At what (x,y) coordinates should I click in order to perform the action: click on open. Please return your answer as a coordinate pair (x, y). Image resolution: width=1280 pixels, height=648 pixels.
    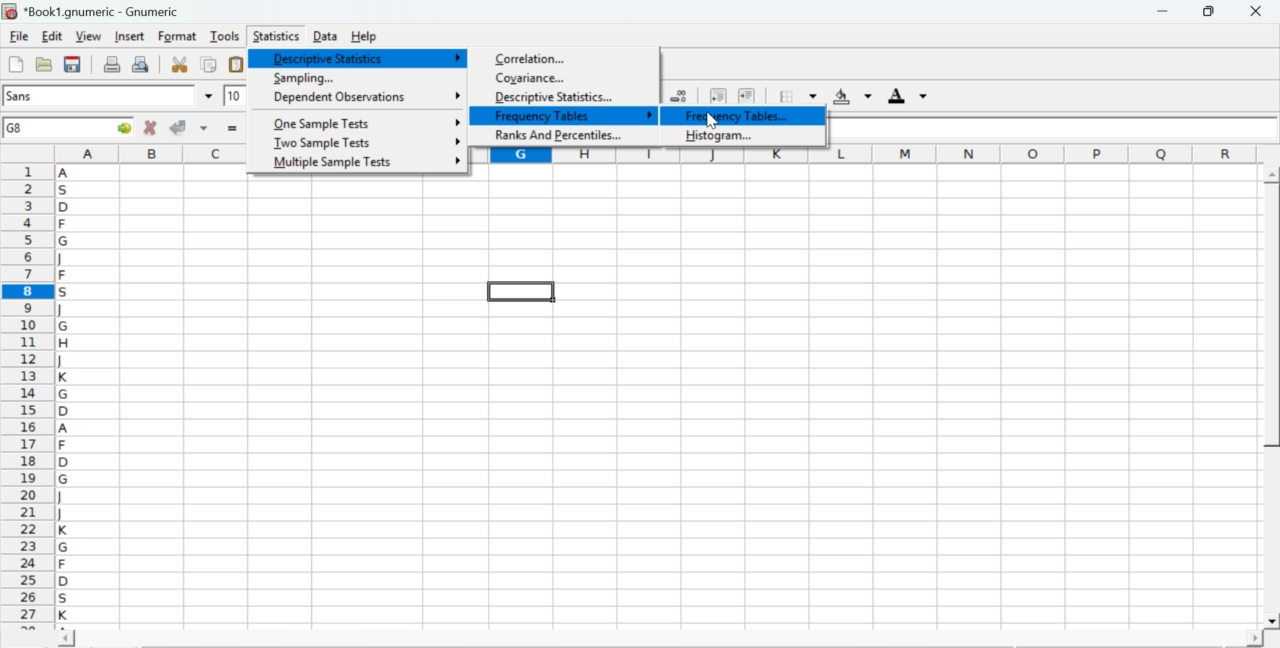
    Looking at the image, I should click on (42, 64).